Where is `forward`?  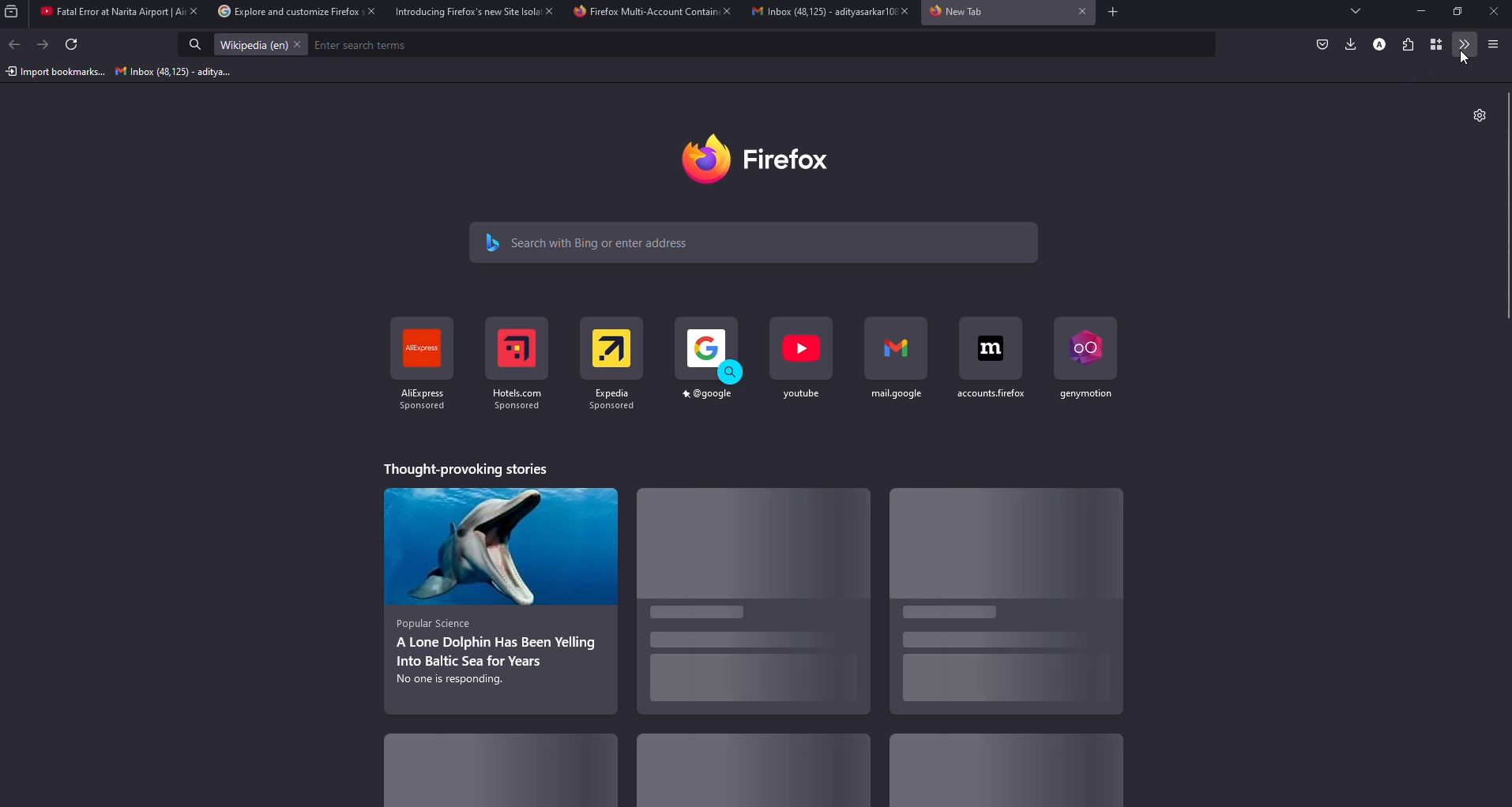
forward is located at coordinates (44, 44).